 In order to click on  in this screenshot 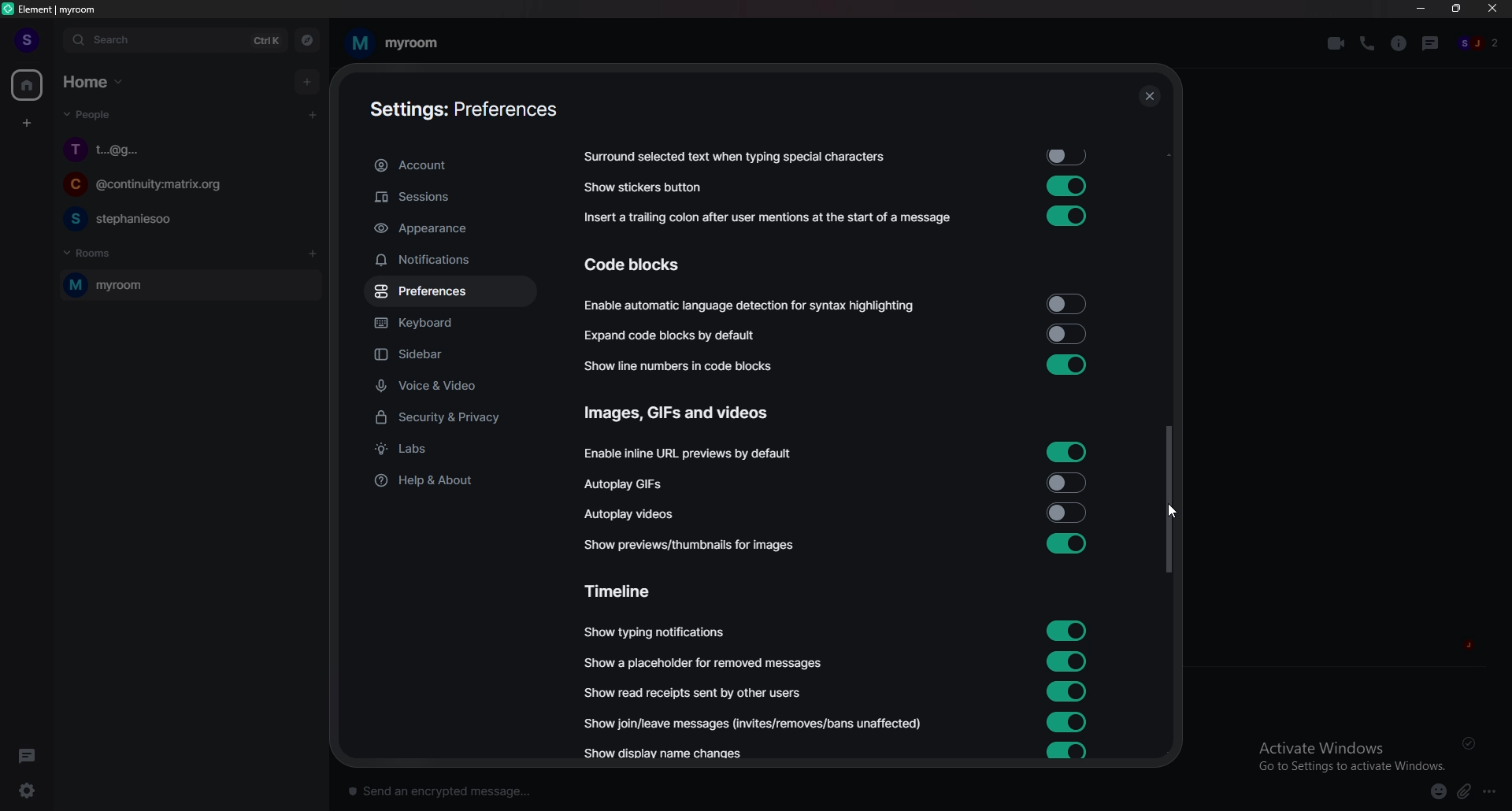, I will do `click(1149, 98)`.